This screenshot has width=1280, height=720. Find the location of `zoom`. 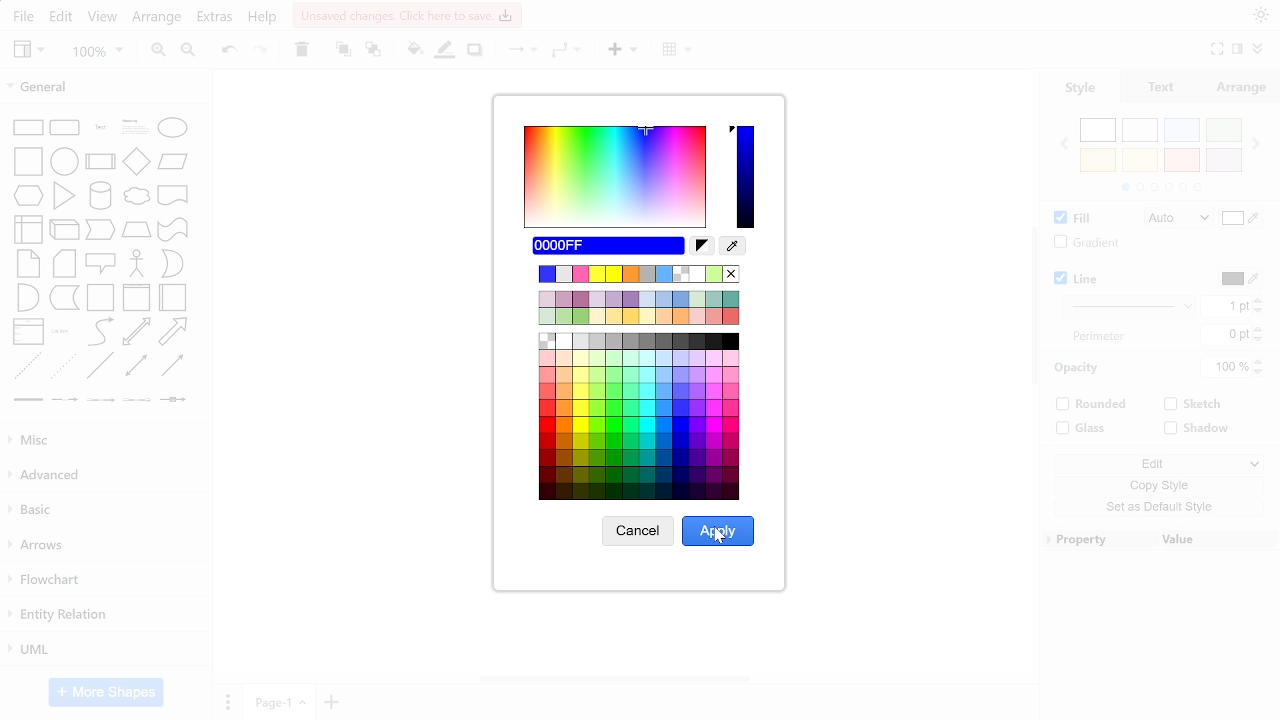

zoom is located at coordinates (97, 53).